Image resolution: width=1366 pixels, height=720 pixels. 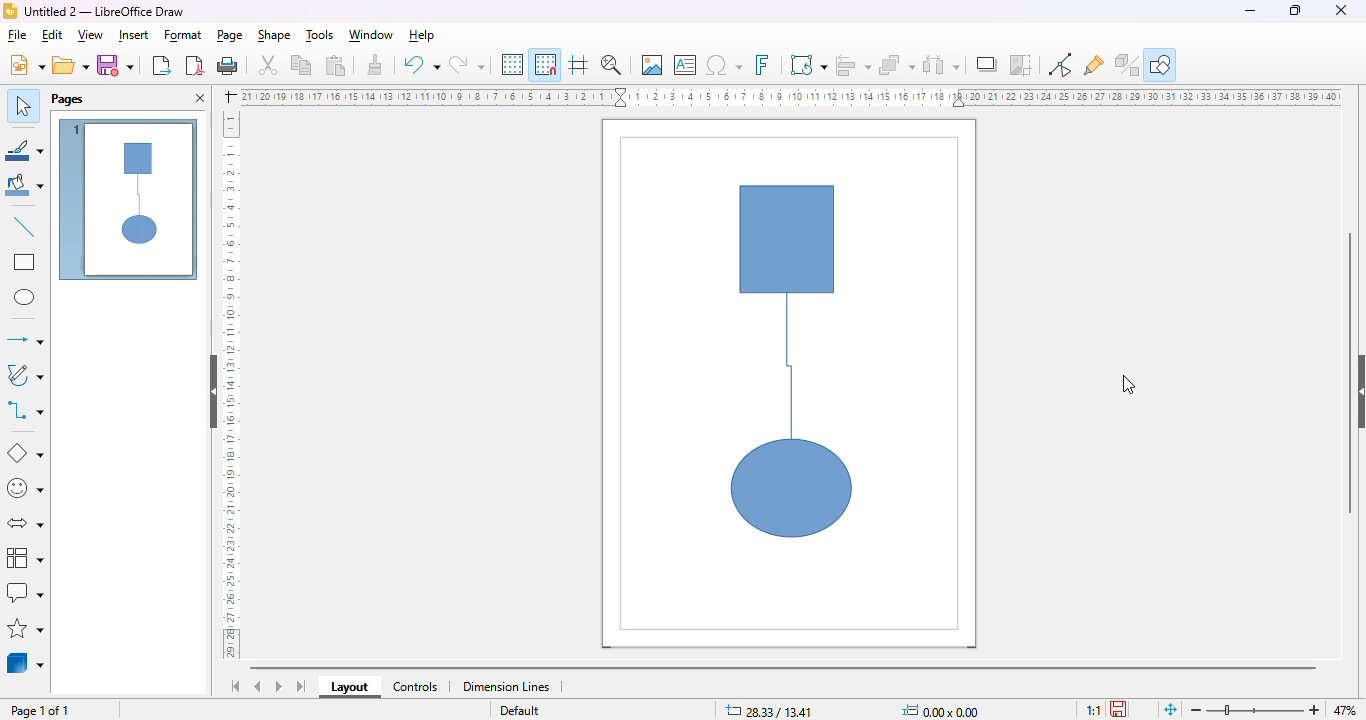 I want to click on new, so click(x=27, y=64).